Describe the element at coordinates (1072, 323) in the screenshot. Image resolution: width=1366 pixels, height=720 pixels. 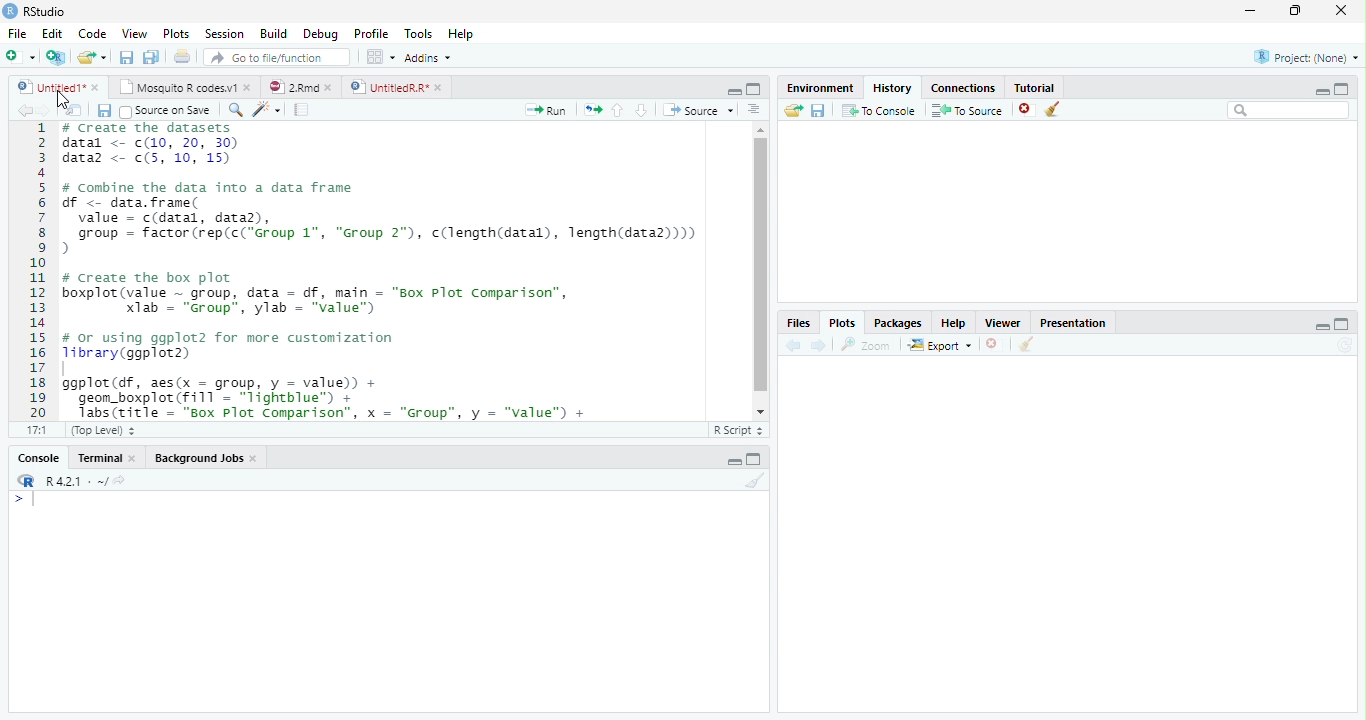
I see `Presentation` at that location.